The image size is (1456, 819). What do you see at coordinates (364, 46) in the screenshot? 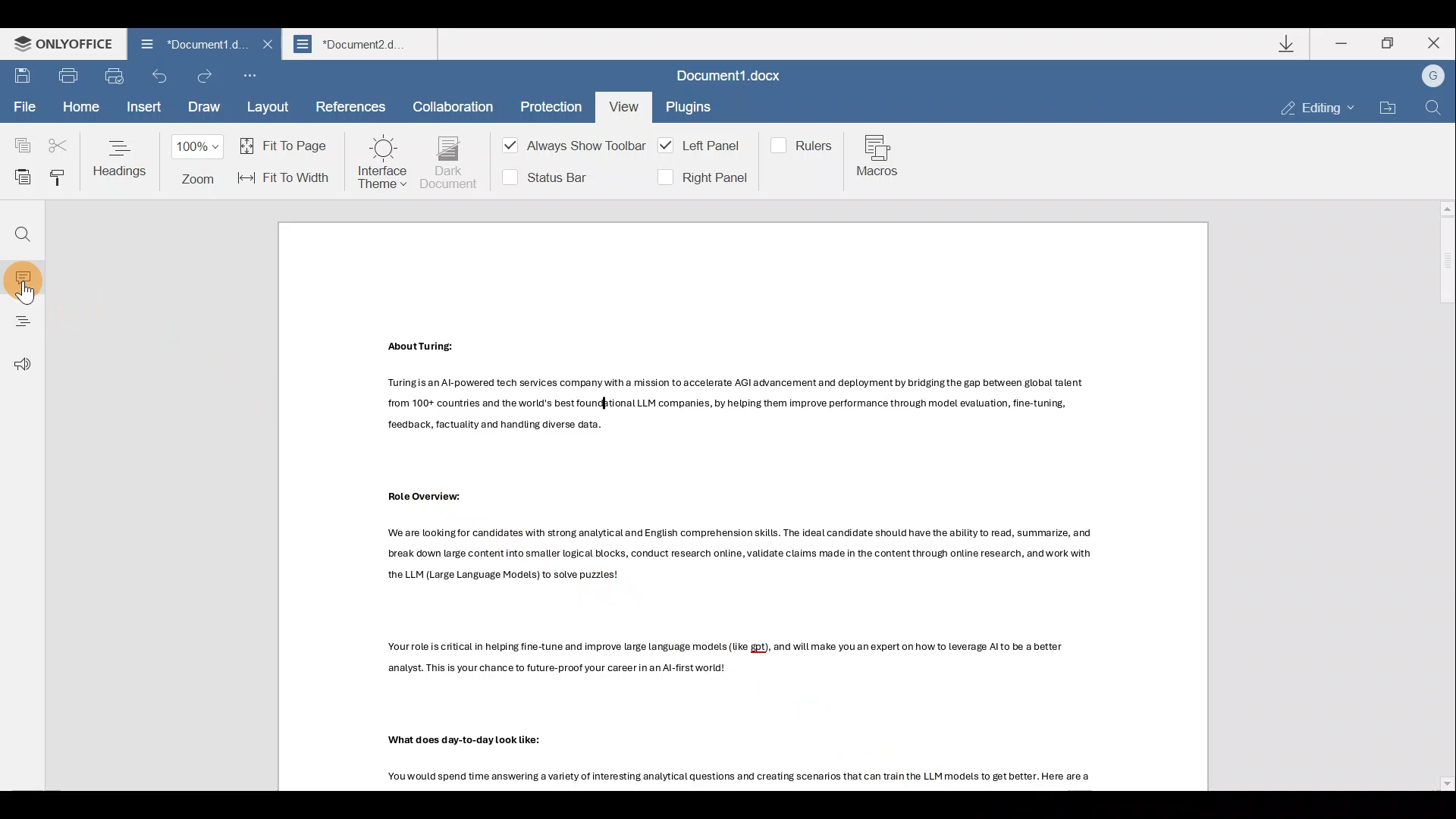
I see `Document2.d..` at bounding box center [364, 46].